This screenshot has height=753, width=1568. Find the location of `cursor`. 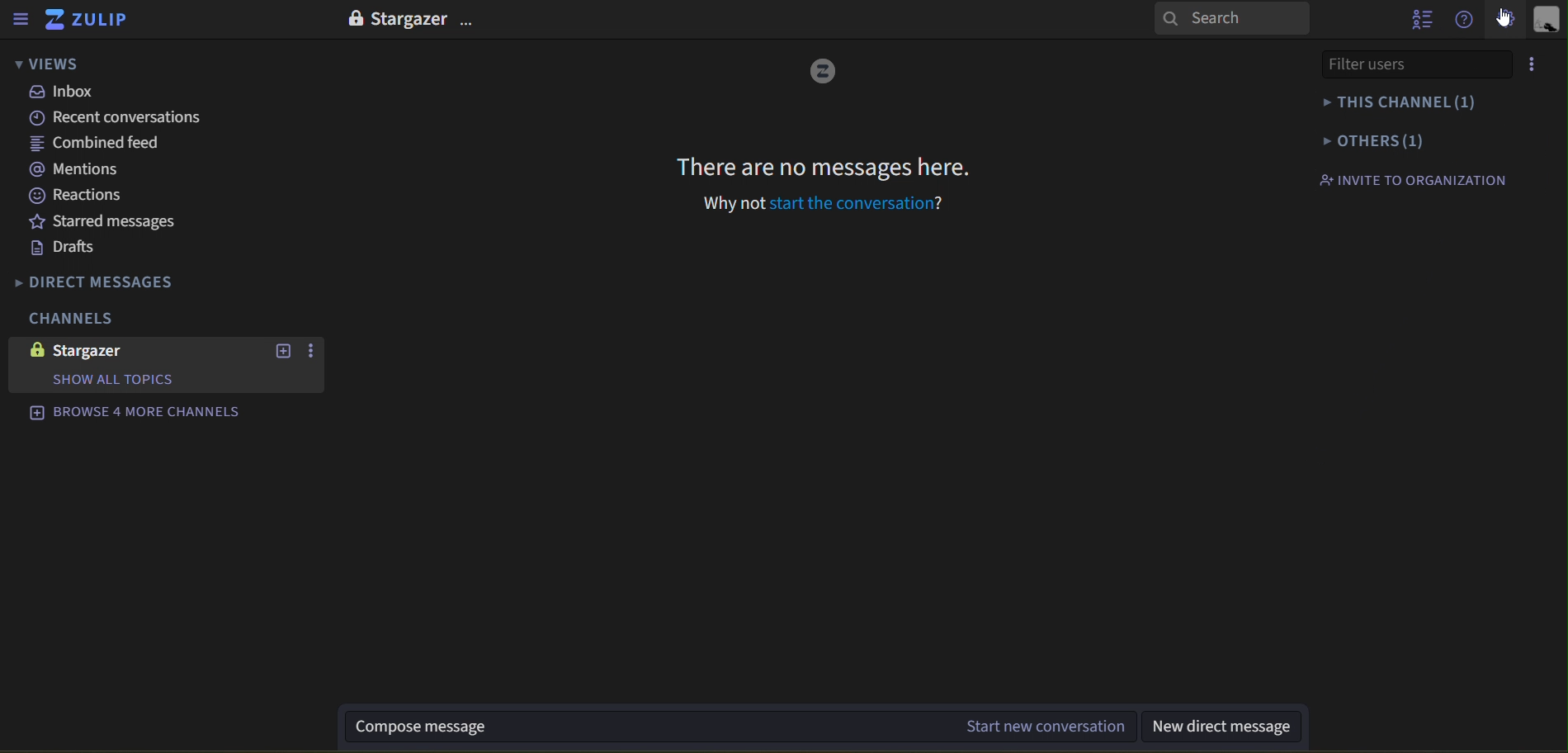

cursor is located at coordinates (1504, 24).